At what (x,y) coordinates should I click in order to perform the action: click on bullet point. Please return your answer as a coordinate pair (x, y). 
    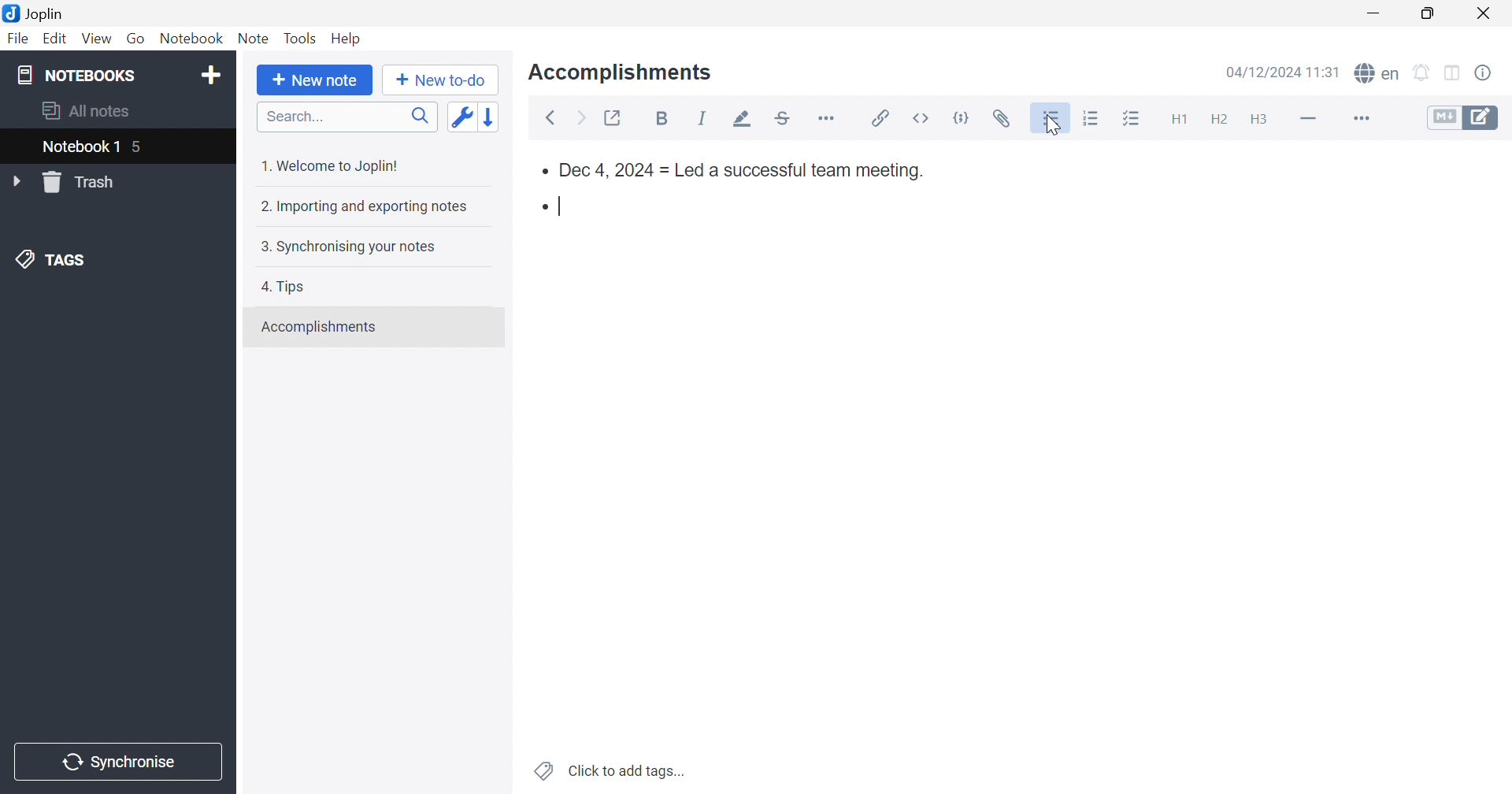
    Looking at the image, I should click on (539, 173).